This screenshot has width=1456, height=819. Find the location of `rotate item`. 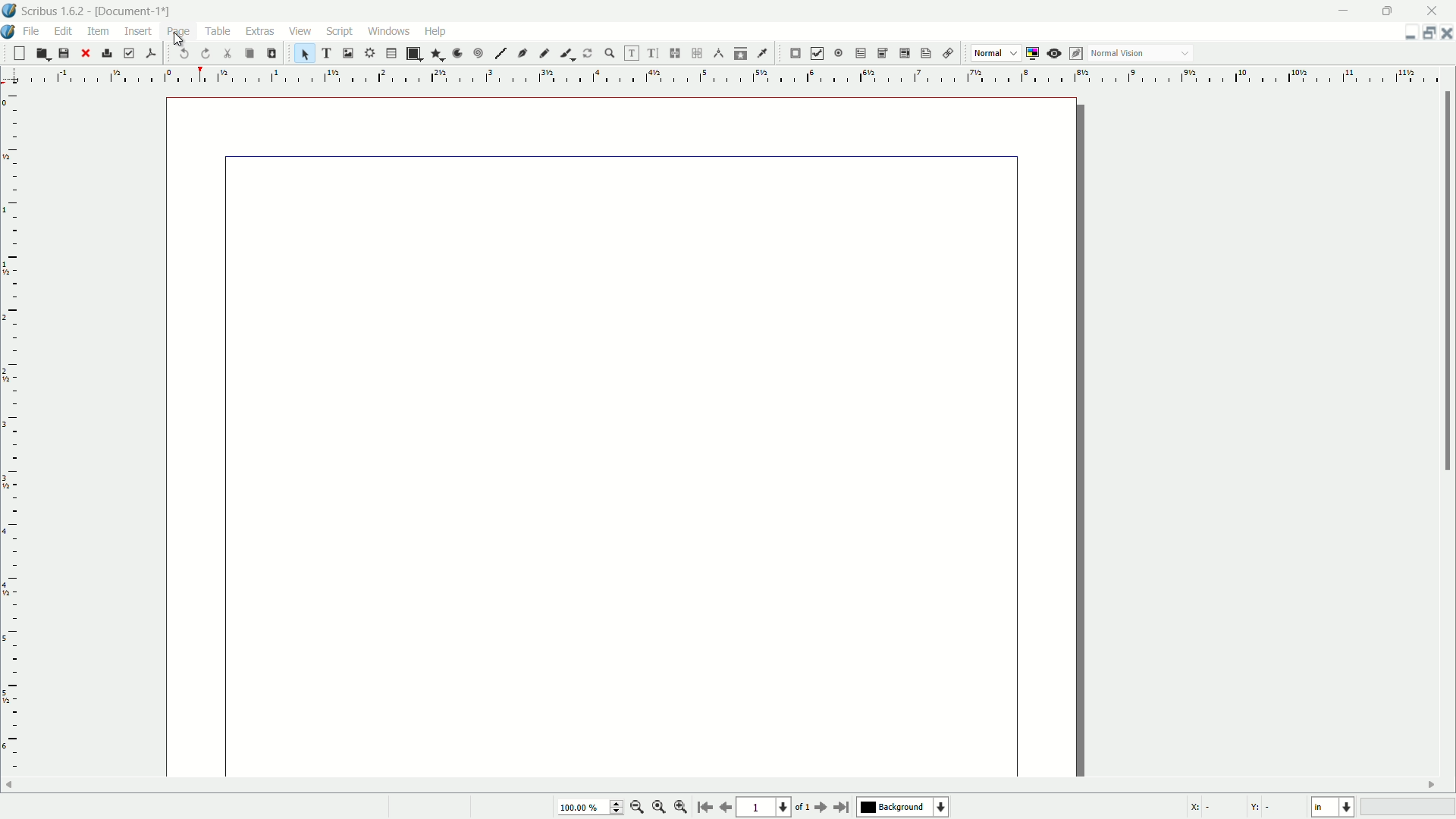

rotate item is located at coordinates (588, 53).